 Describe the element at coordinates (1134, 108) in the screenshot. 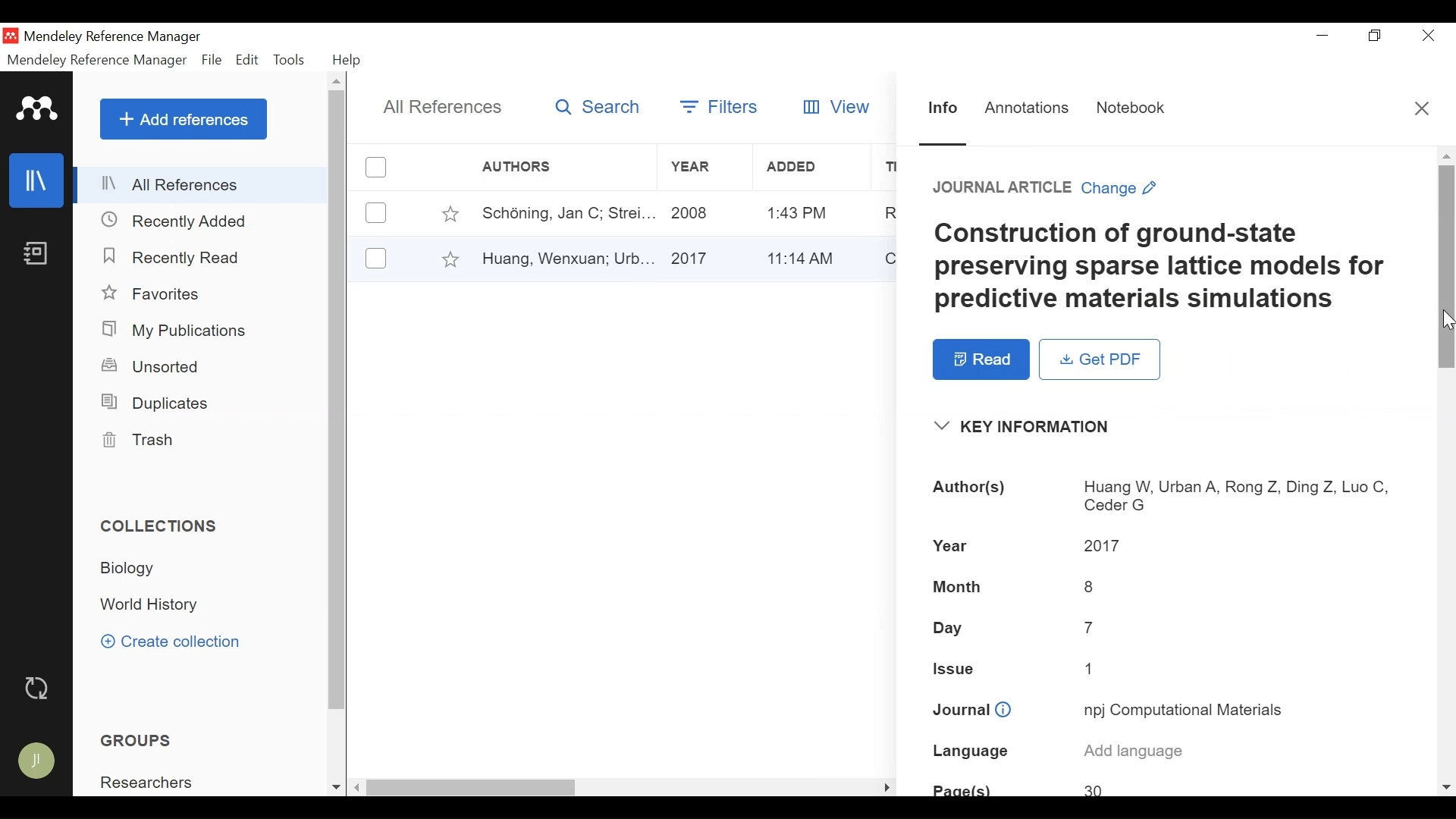

I see `Notebook` at that location.